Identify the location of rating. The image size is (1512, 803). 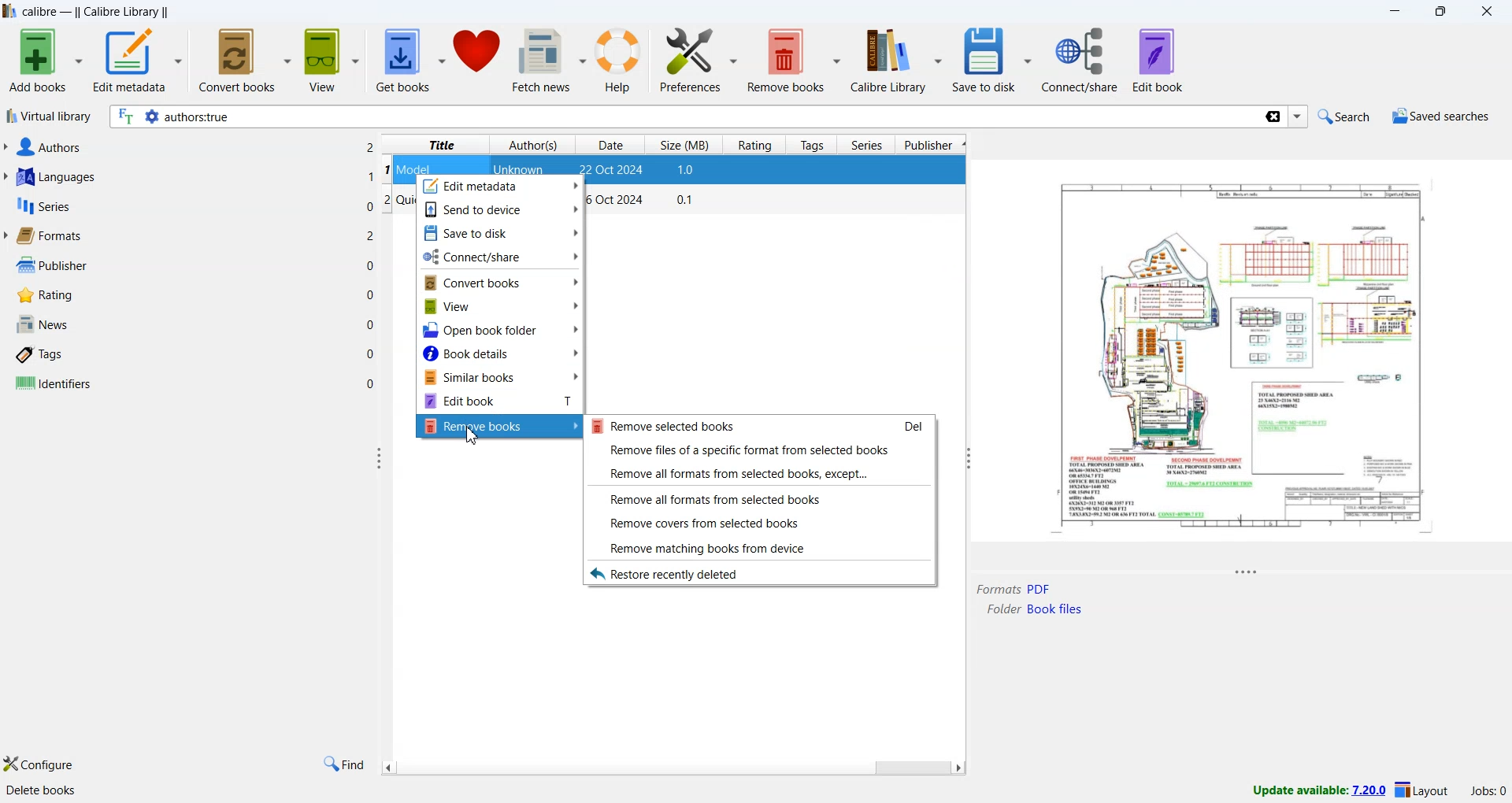
(42, 295).